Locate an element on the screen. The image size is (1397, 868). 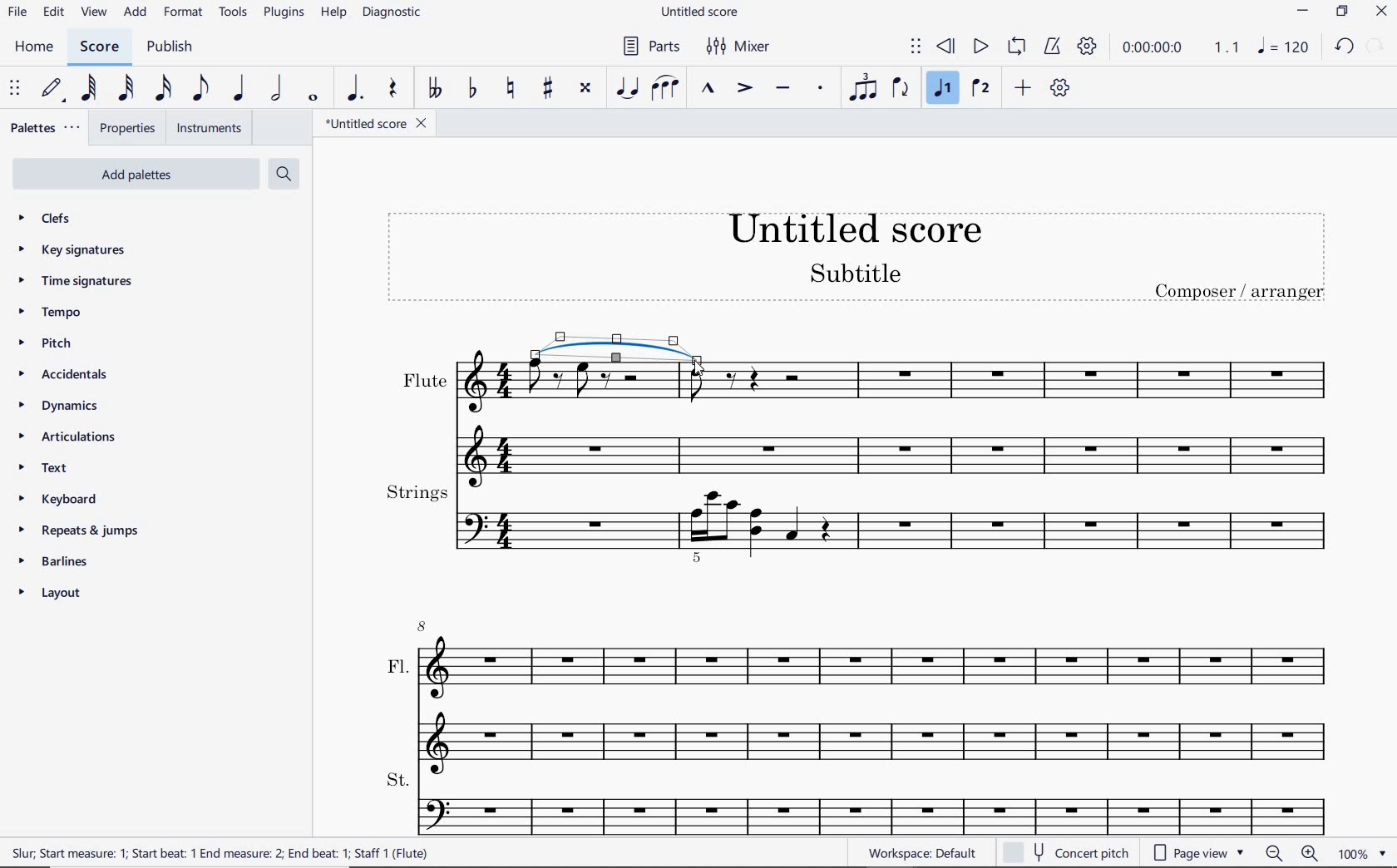
key signatures is located at coordinates (72, 250).